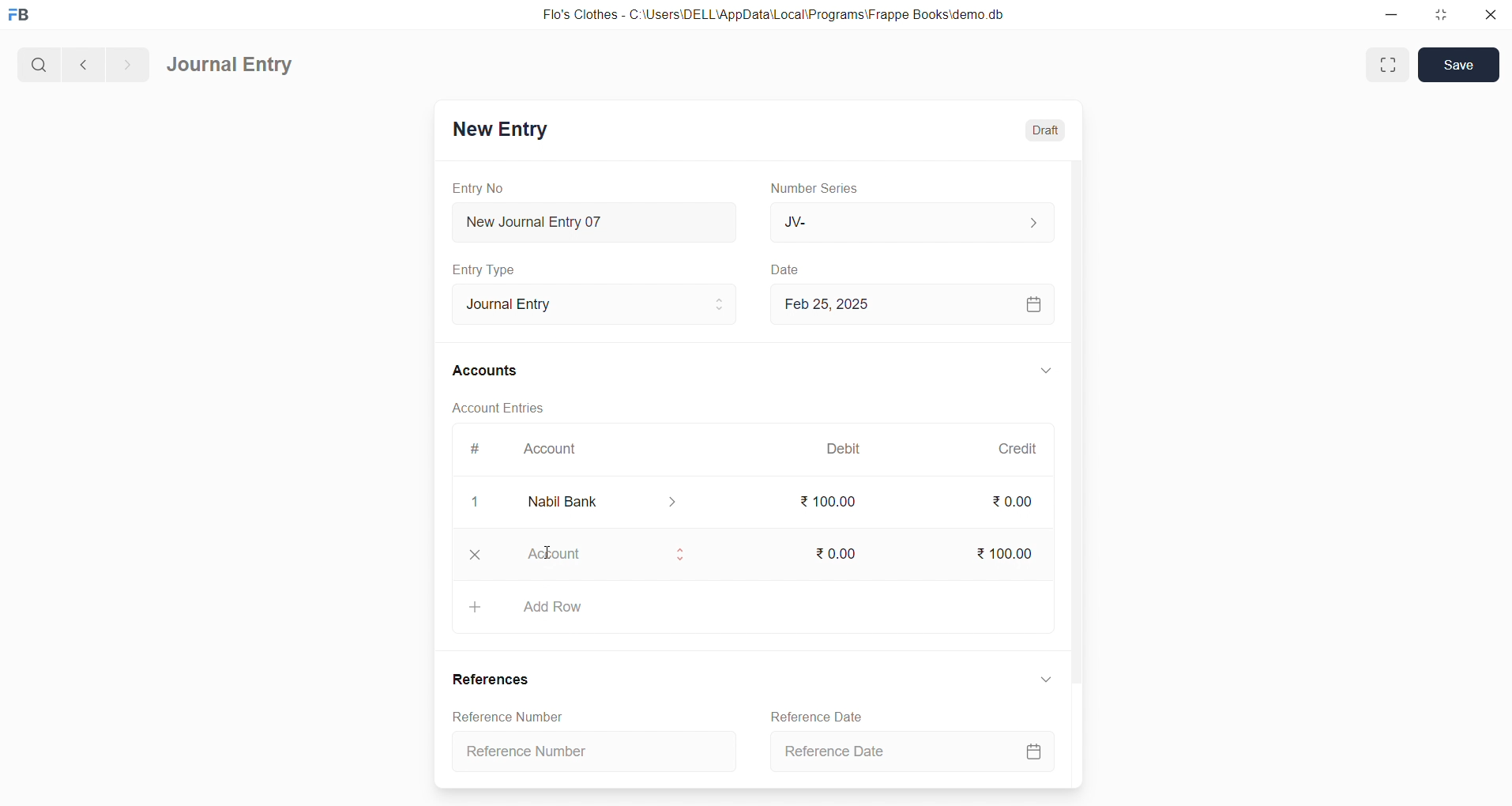 The height and width of the screenshot is (806, 1512). What do you see at coordinates (1076, 472) in the screenshot?
I see `vertical scroll bar` at bounding box center [1076, 472].